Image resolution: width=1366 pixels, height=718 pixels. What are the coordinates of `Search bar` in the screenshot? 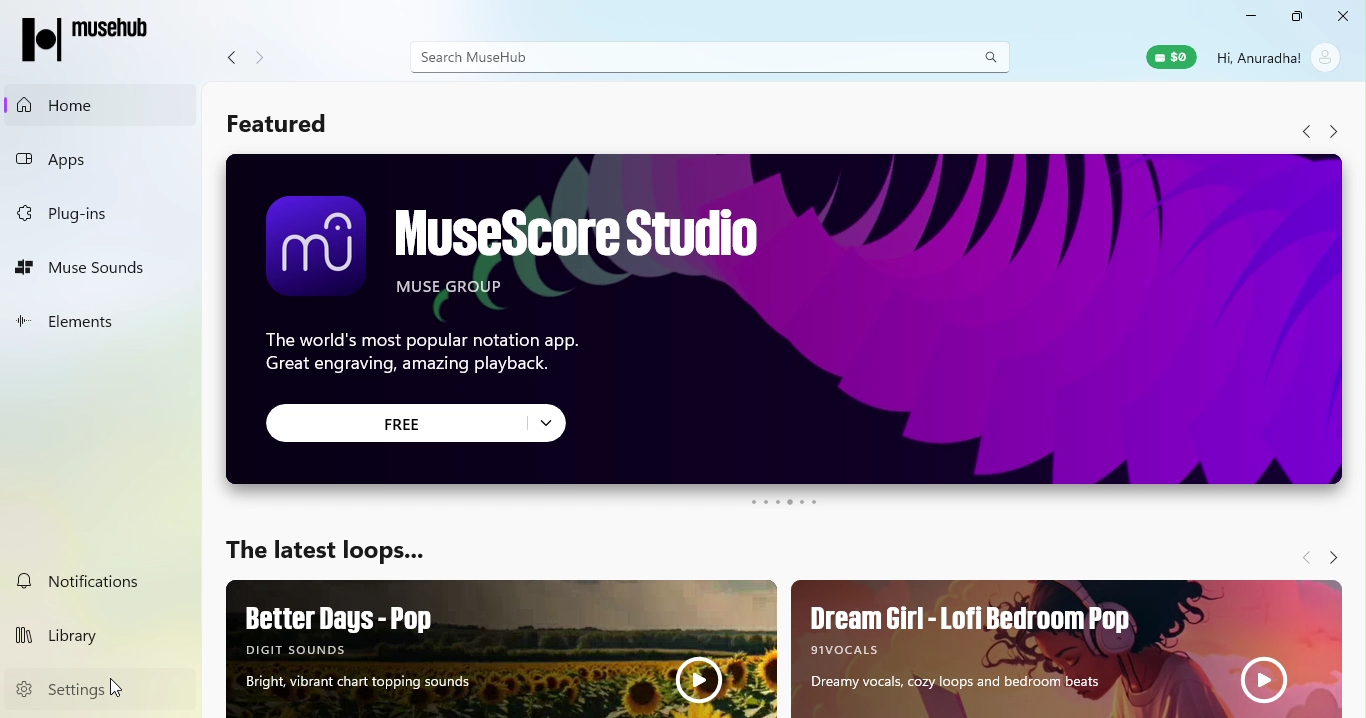 It's located at (710, 56).